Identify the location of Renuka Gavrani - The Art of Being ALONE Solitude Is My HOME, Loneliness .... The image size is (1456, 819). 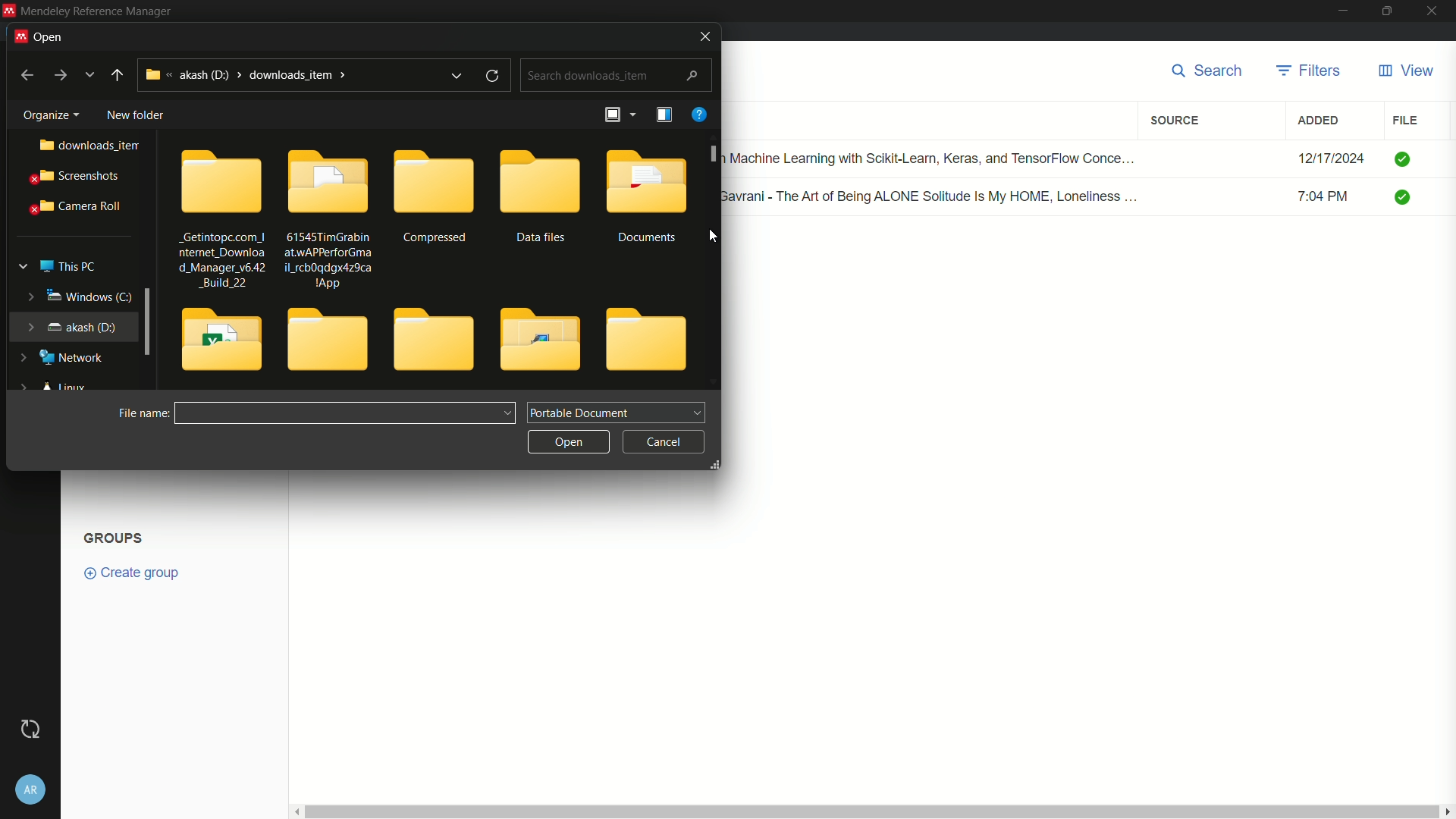
(937, 195).